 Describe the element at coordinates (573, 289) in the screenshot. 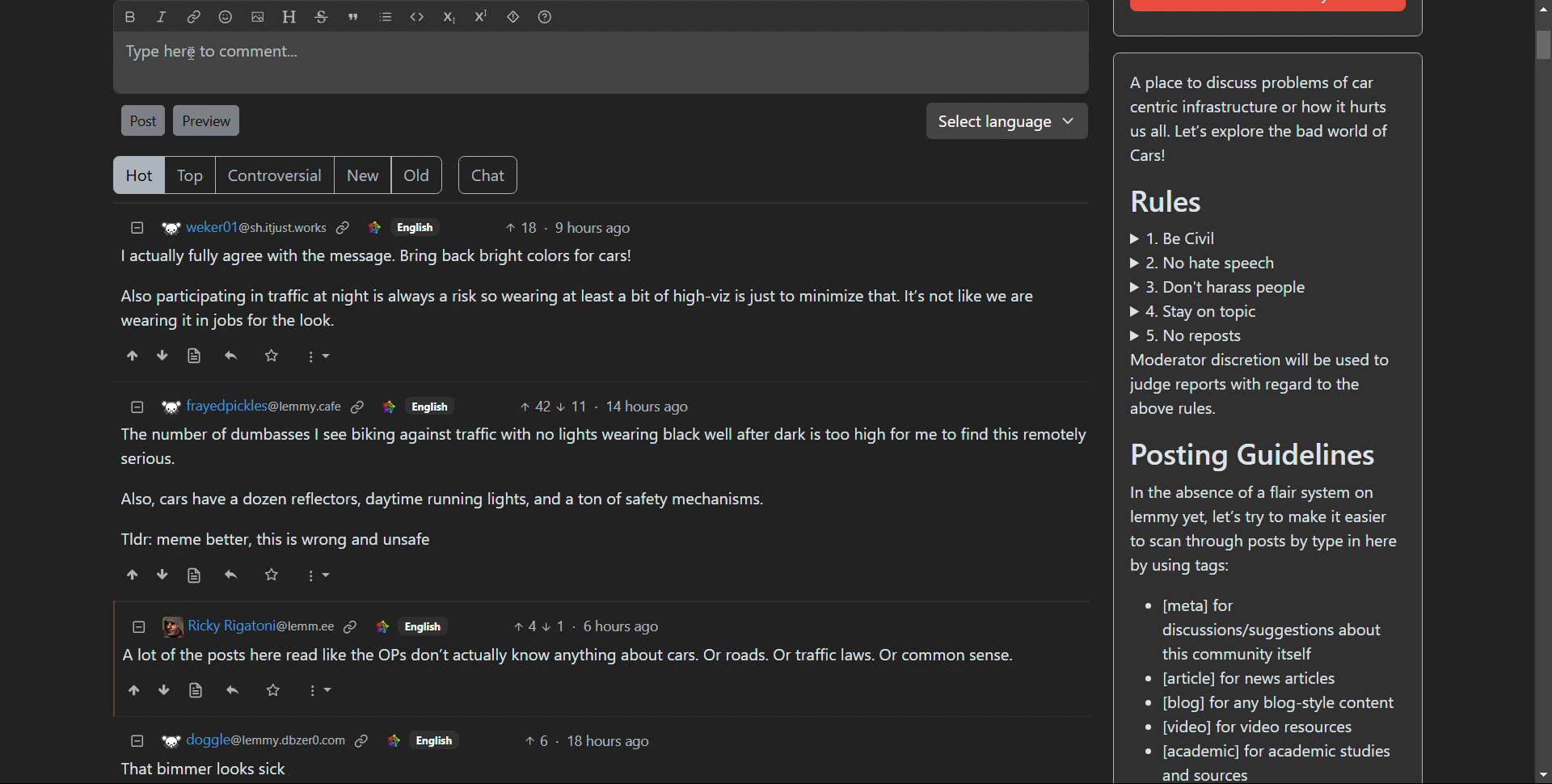

I see `I actually fully agree with the message. Bring back bright colors for cars!
Also participating in traffic at night is always a risk so wearing at least a bit of high-viz is just to minimize that. It's not like we are
wearing it in jobs for the look.` at that location.